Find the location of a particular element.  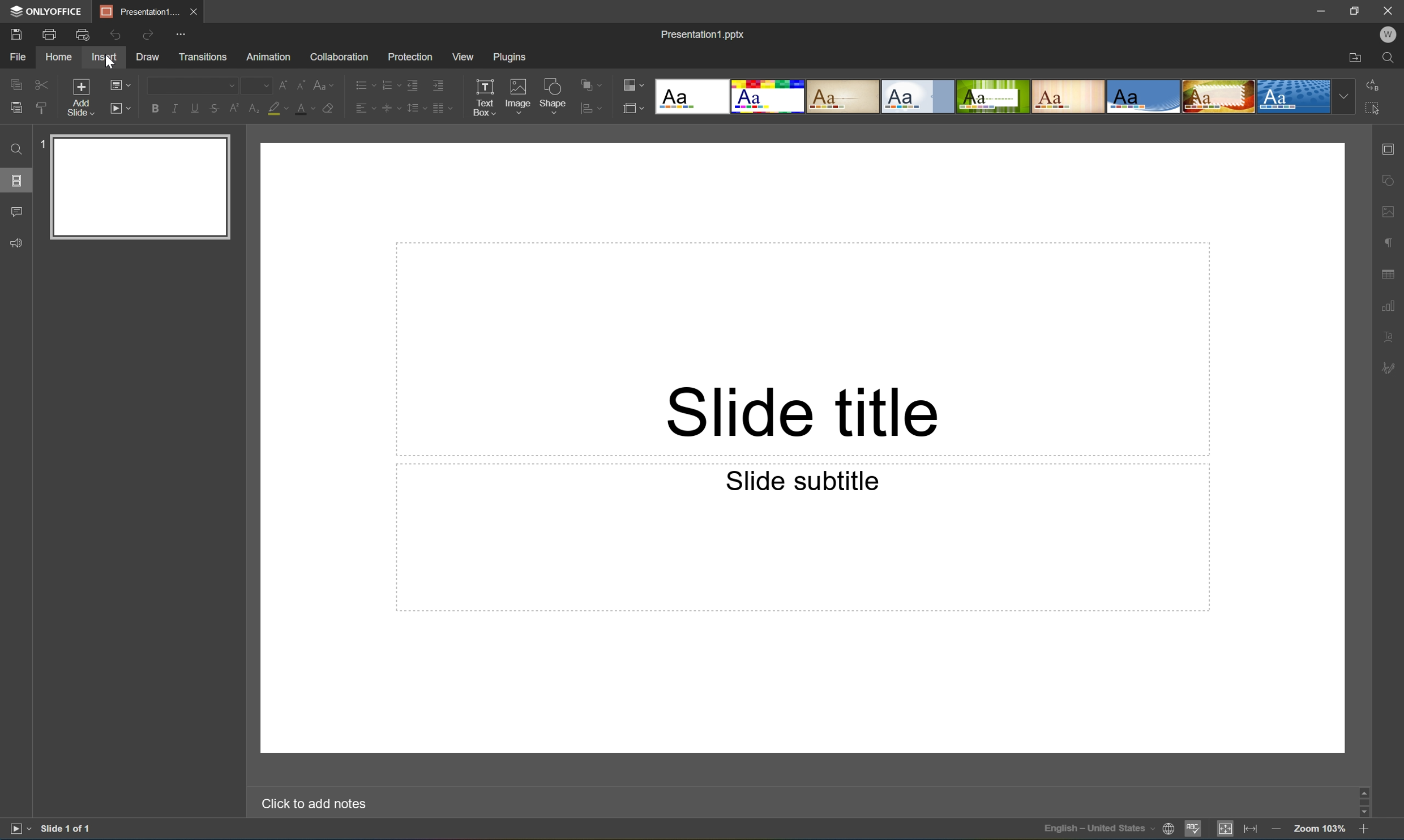

Zoom 103% is located at coordinates (1319, 828).